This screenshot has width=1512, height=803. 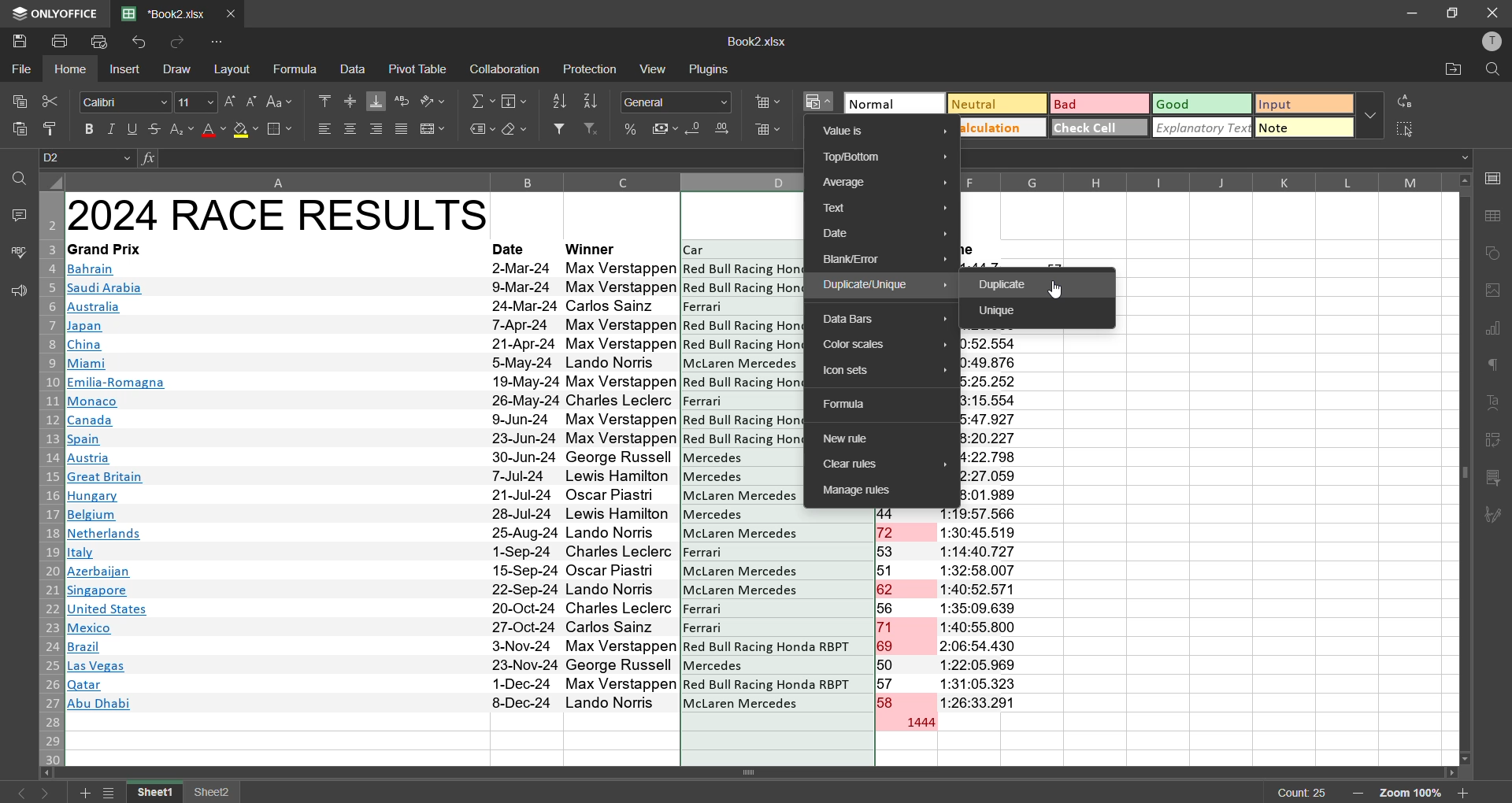 I want to click on font size, so click(x=194, y=101).